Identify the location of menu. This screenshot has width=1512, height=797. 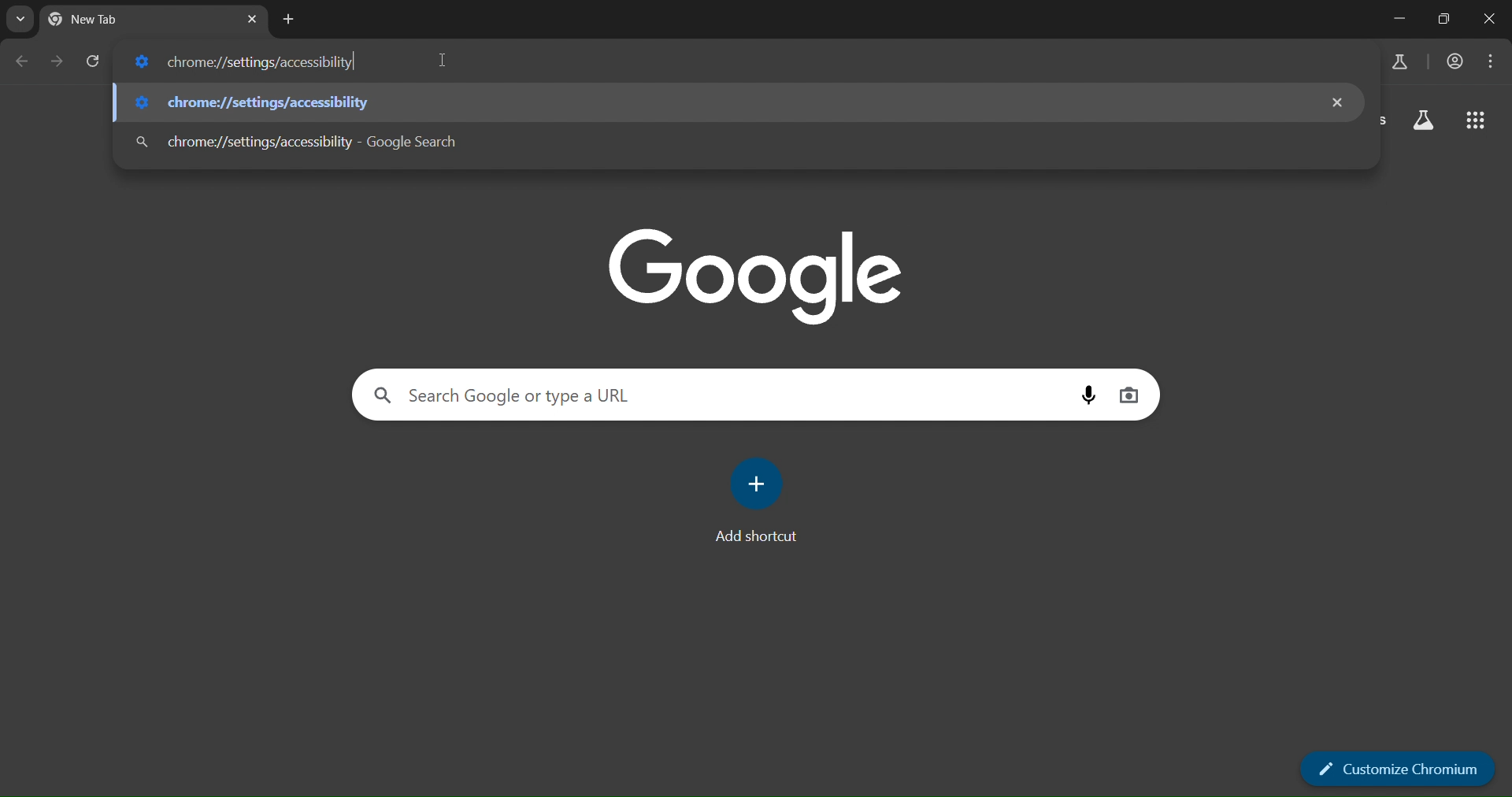
(1494, 61).